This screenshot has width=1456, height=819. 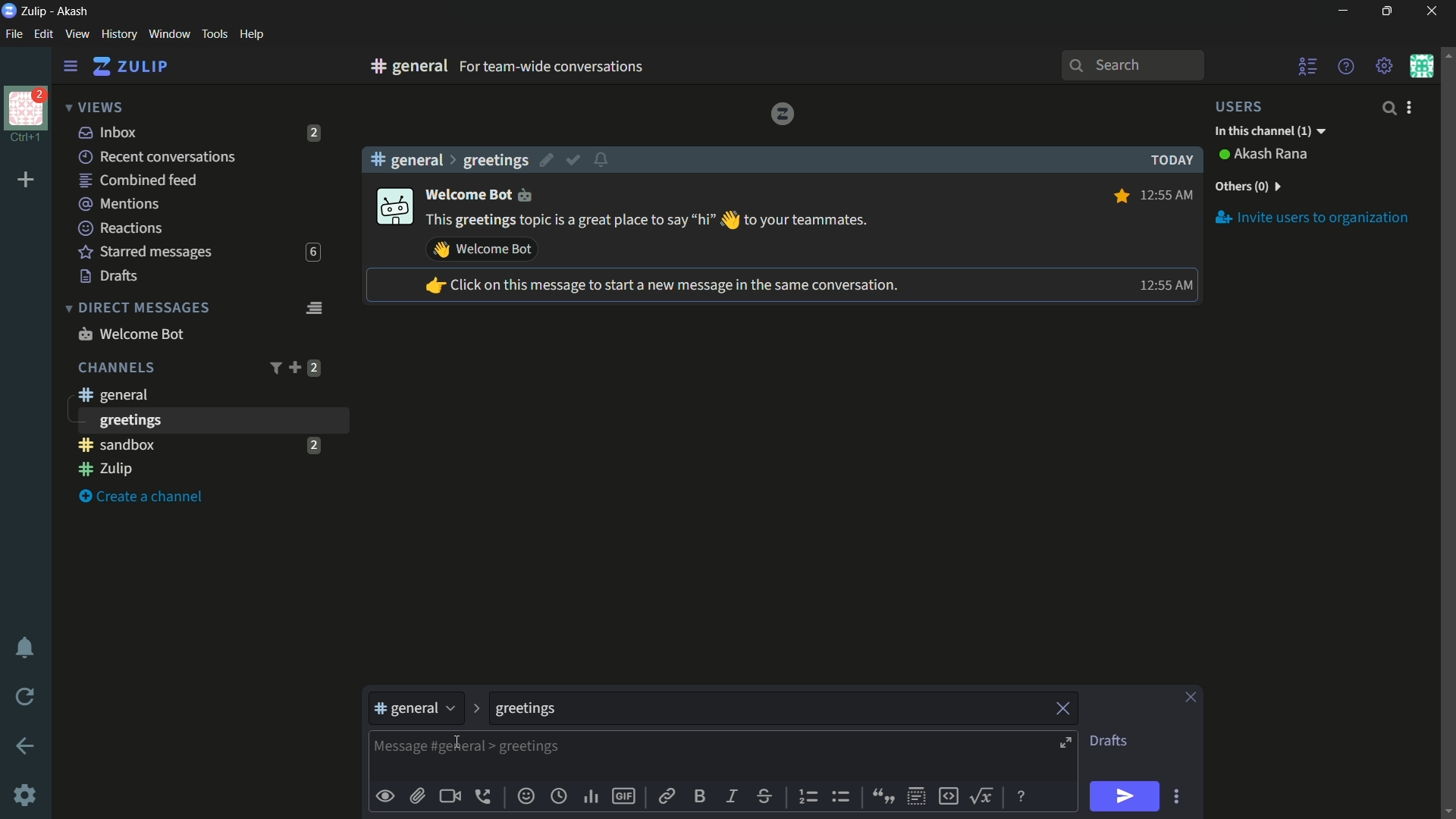 I want to click on reactions, so click(x=120, y=227).